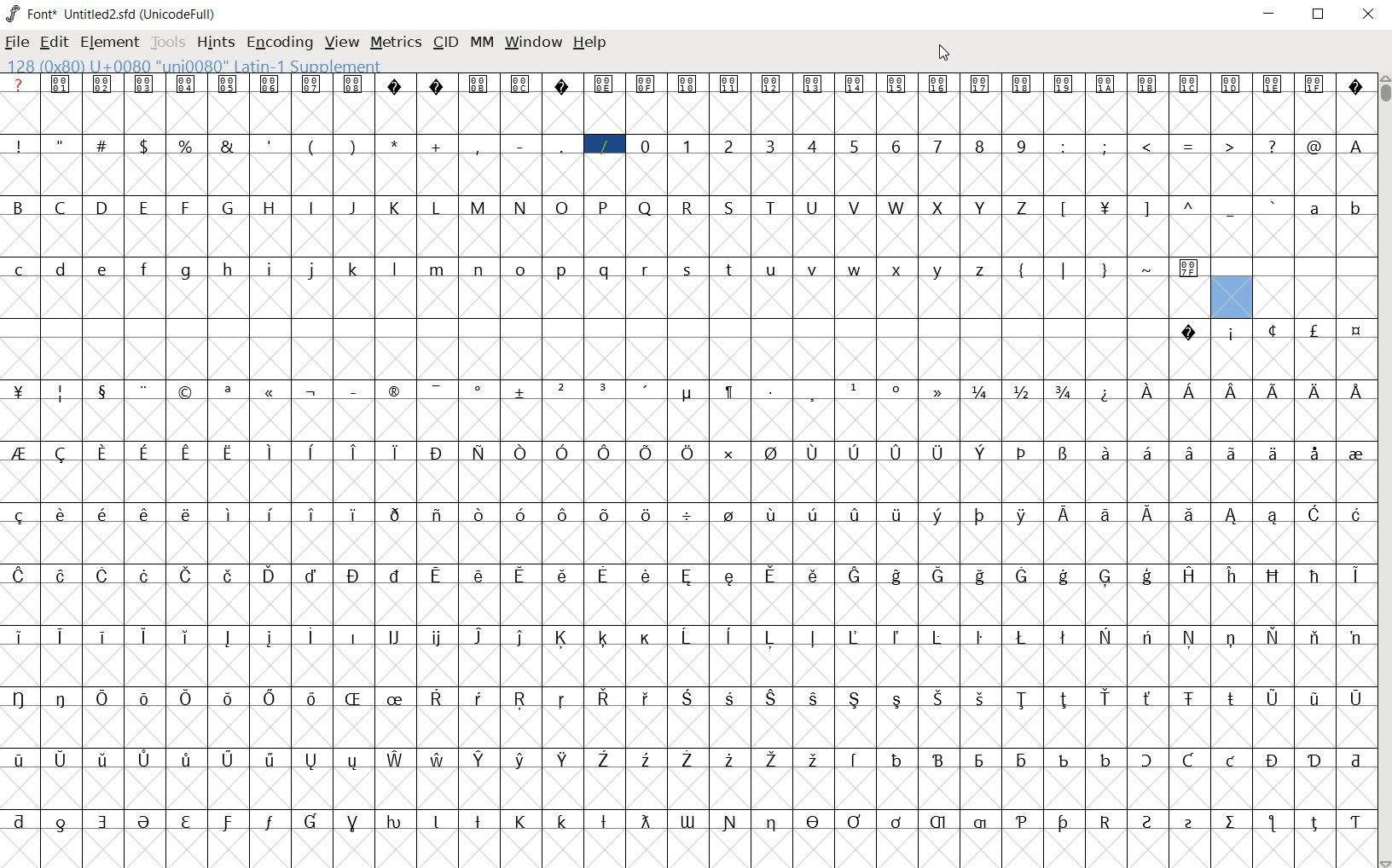  What do you see at coordinates (60, 636) in the screenshot?
I see `glyph` at bounding box center [60, 636].